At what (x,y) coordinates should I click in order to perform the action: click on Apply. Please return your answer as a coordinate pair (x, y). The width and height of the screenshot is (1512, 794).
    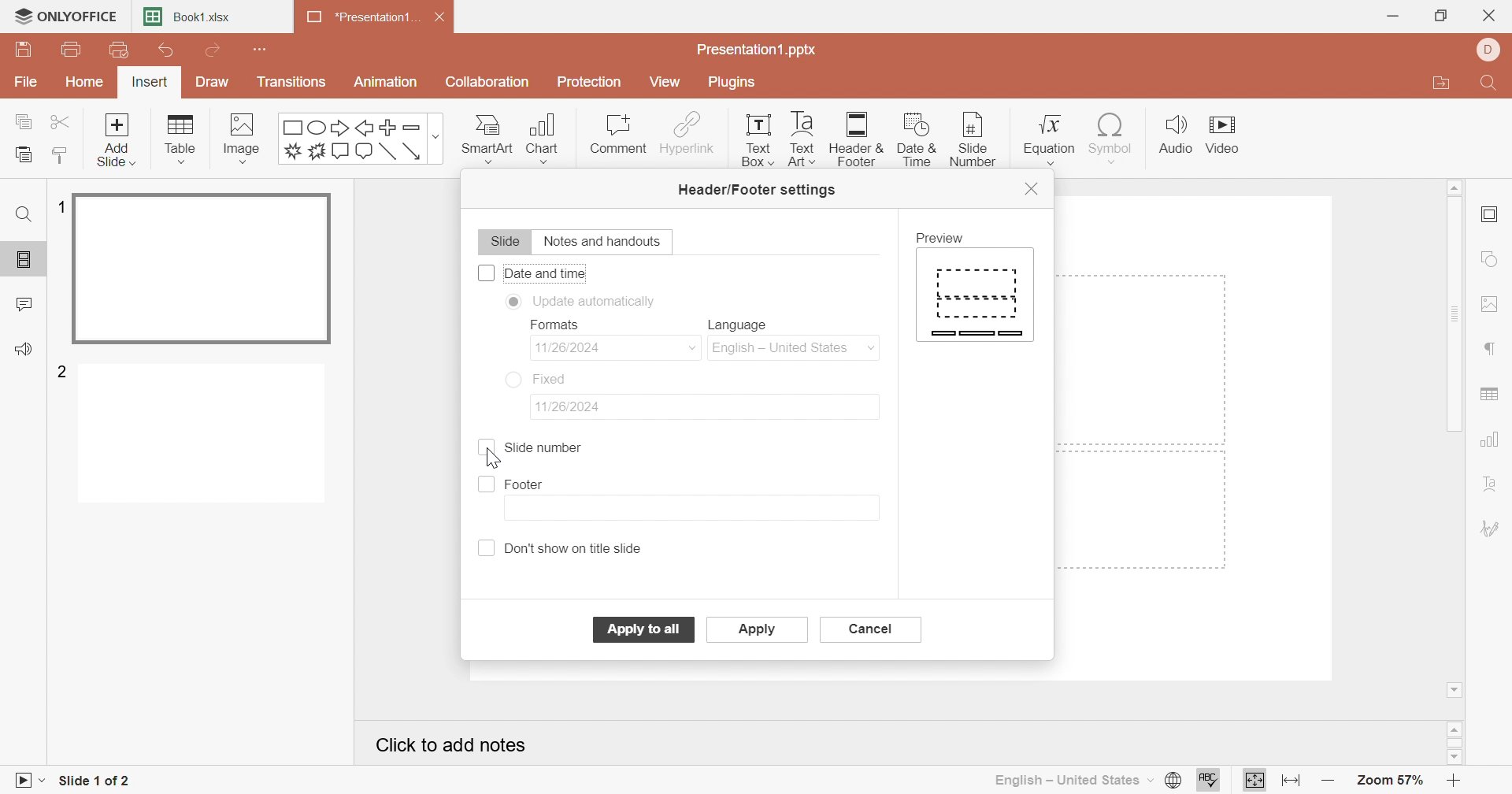
    Looking at the image, I should click on (644, 629).